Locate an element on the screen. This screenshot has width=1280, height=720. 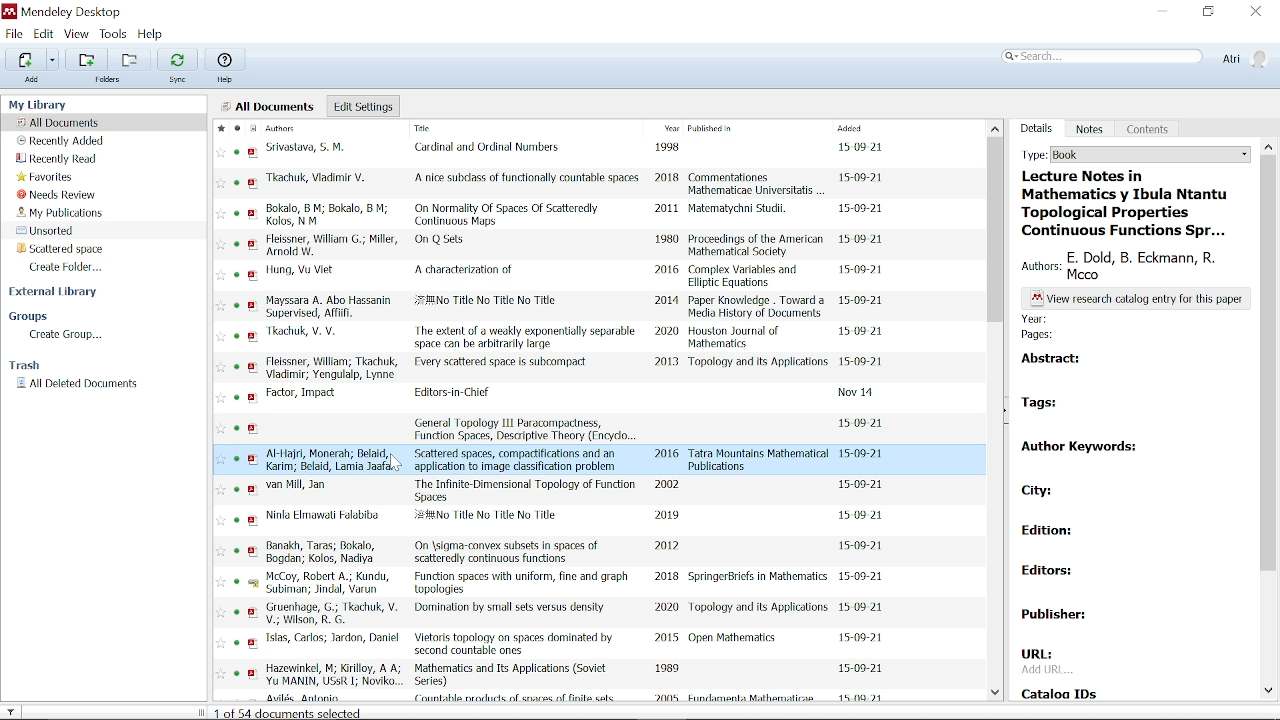
2020 is located at coordinates (666, 332).